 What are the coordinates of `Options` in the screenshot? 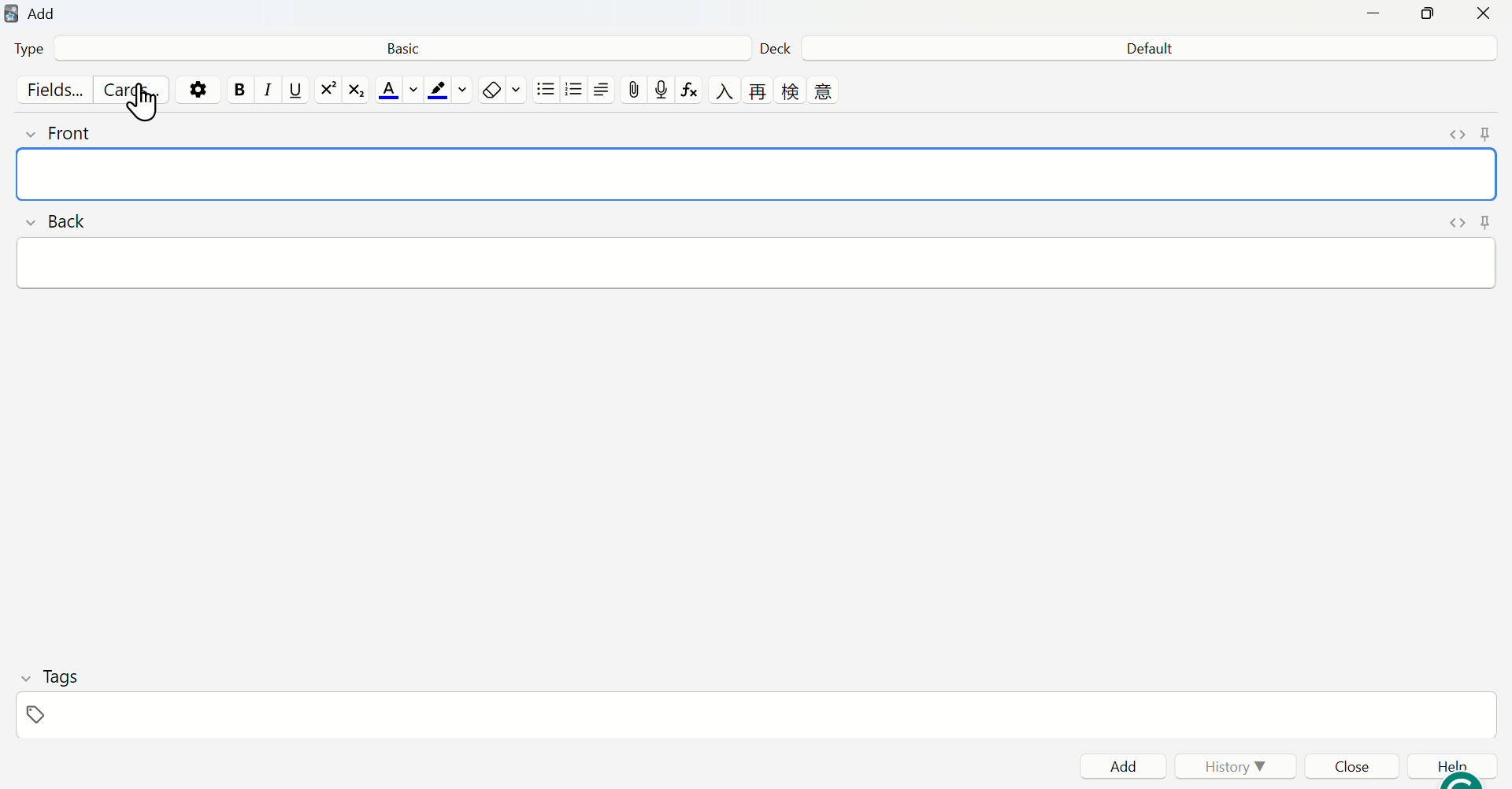 It's located at (197, 91).